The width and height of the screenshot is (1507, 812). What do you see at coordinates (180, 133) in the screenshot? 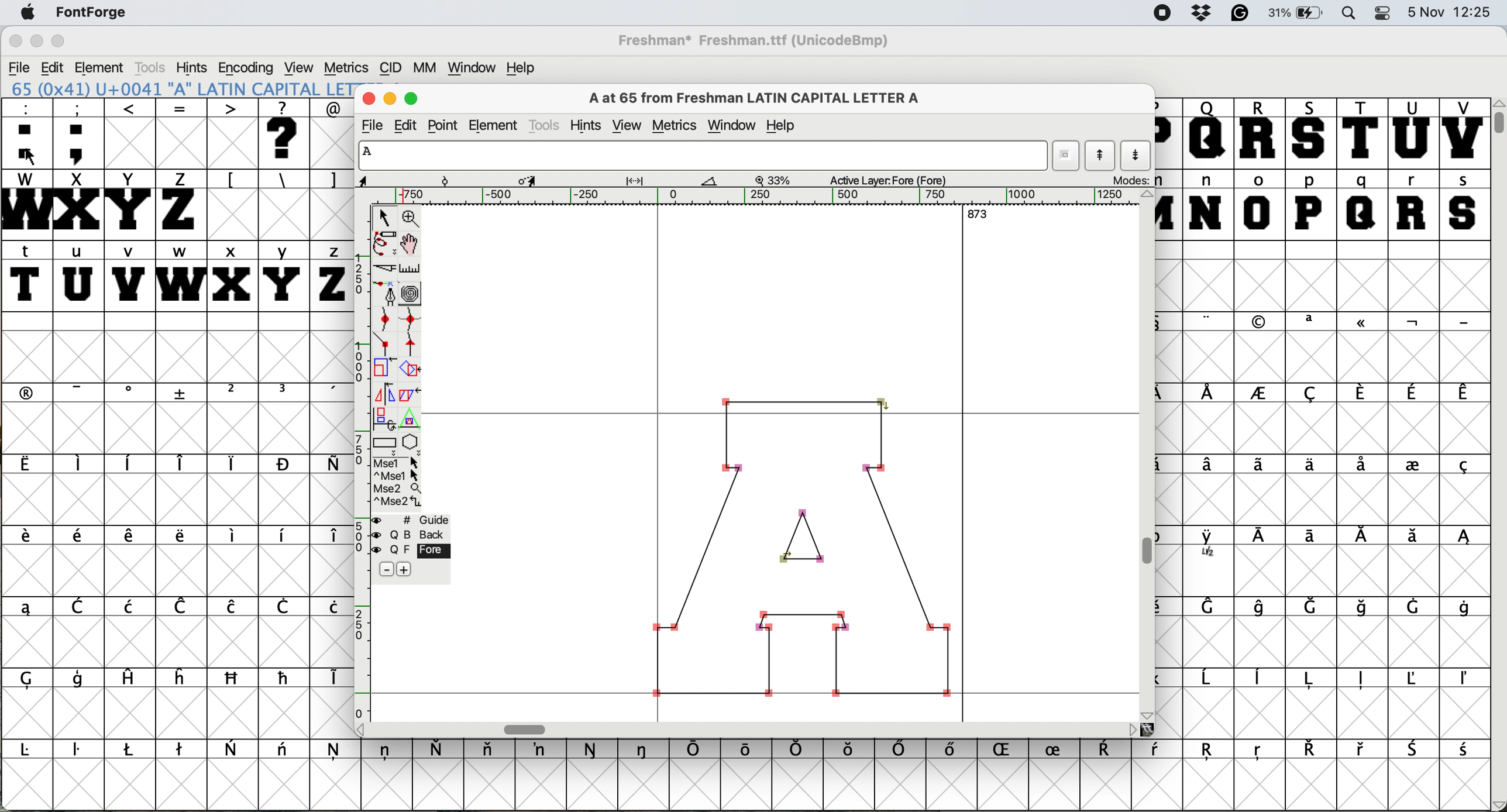
I see `=` at bounding box center [180, 133].